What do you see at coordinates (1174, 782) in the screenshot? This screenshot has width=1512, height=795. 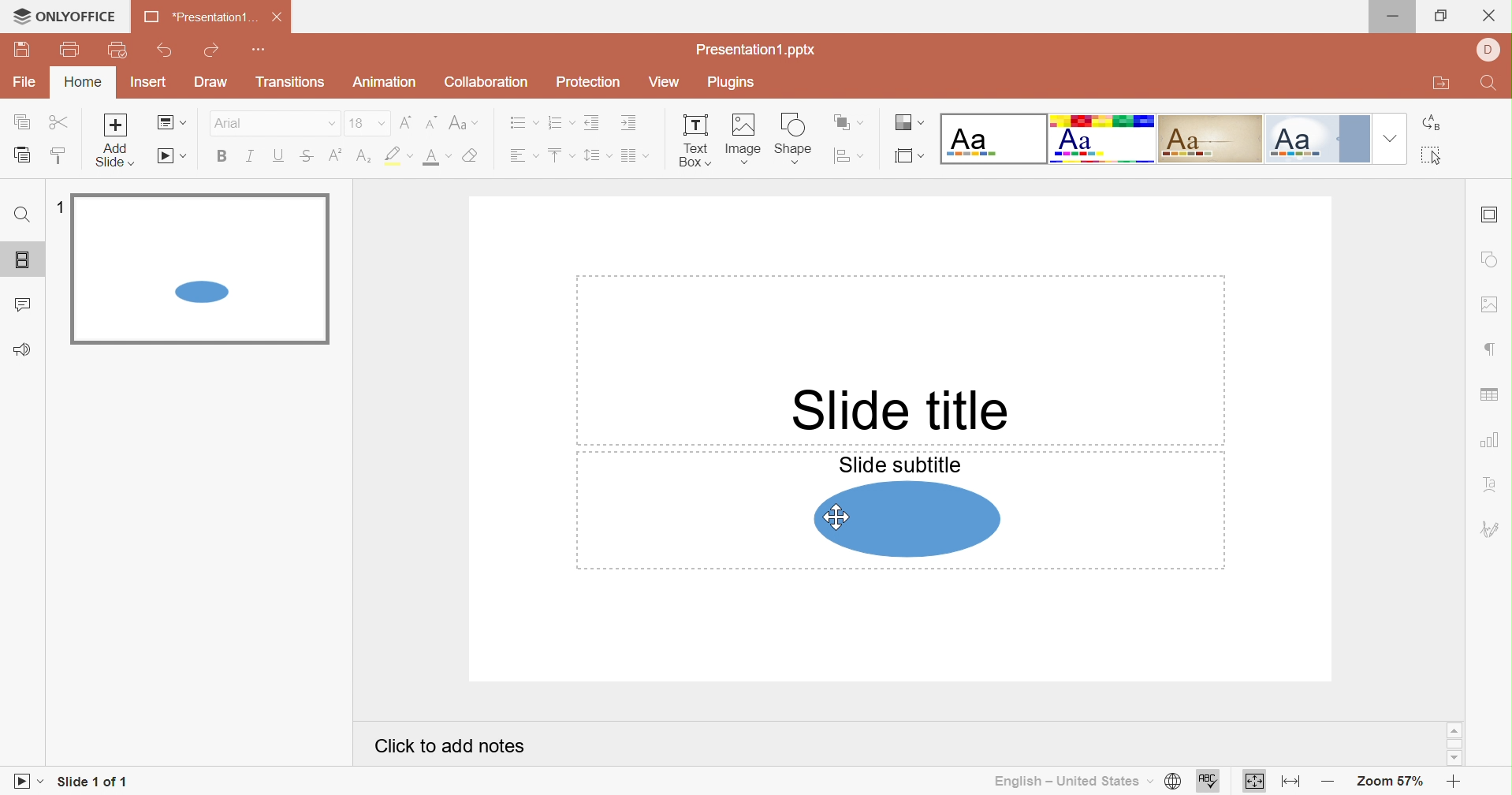 I see `Set document language` at bounding box center [1174, 782].